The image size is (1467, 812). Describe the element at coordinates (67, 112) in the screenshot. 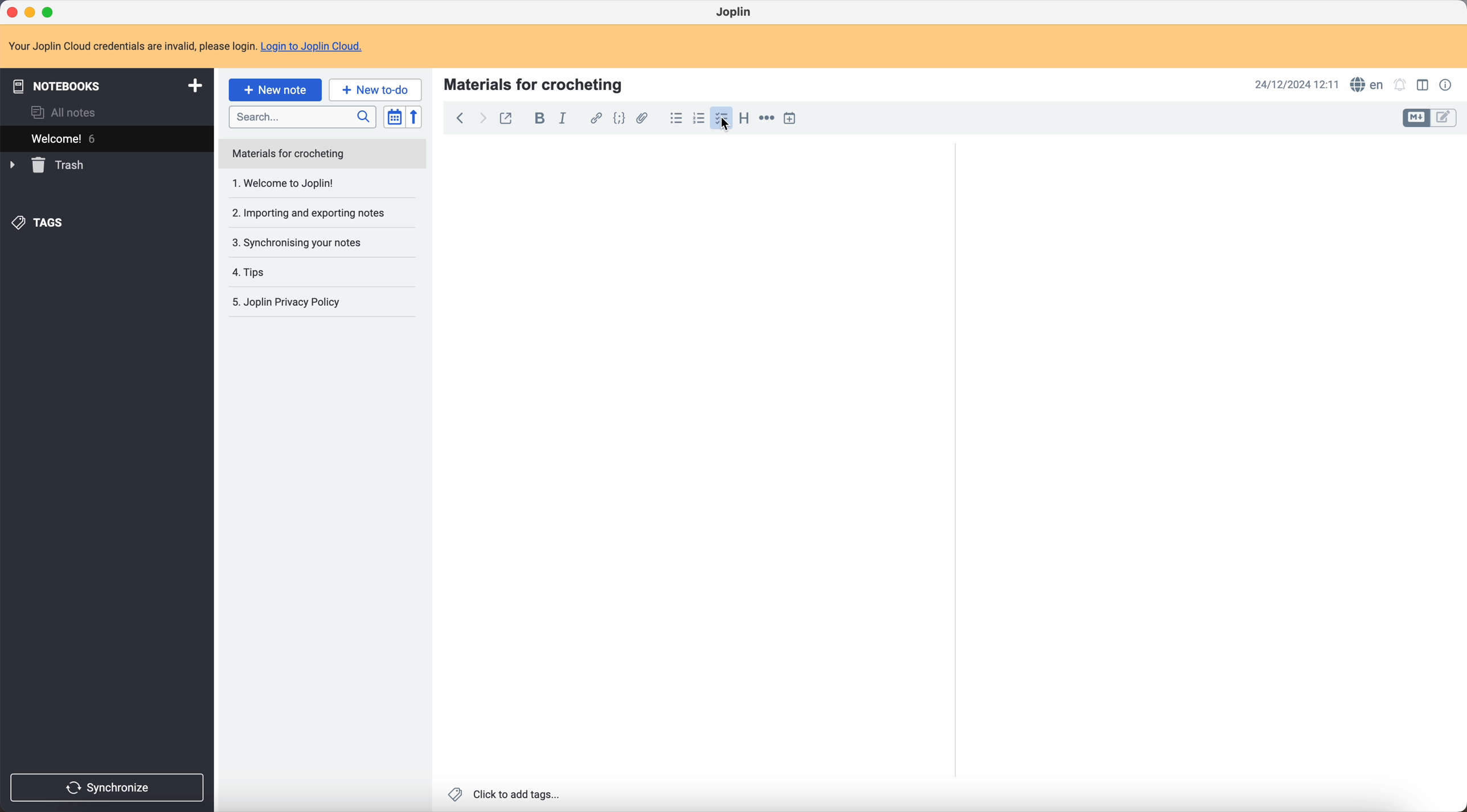

I see `all notes` at that location.